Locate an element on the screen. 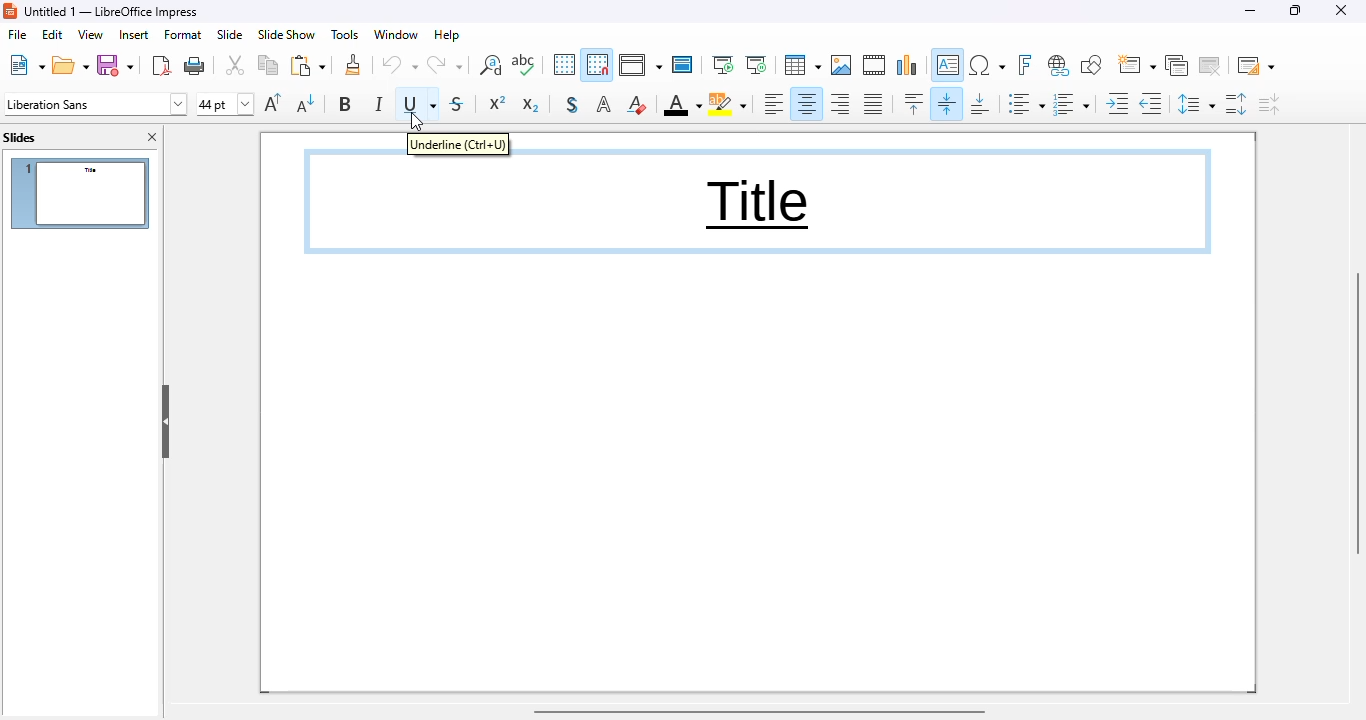 The image size is (1366, 720). view is located at coordinates (90, 35).